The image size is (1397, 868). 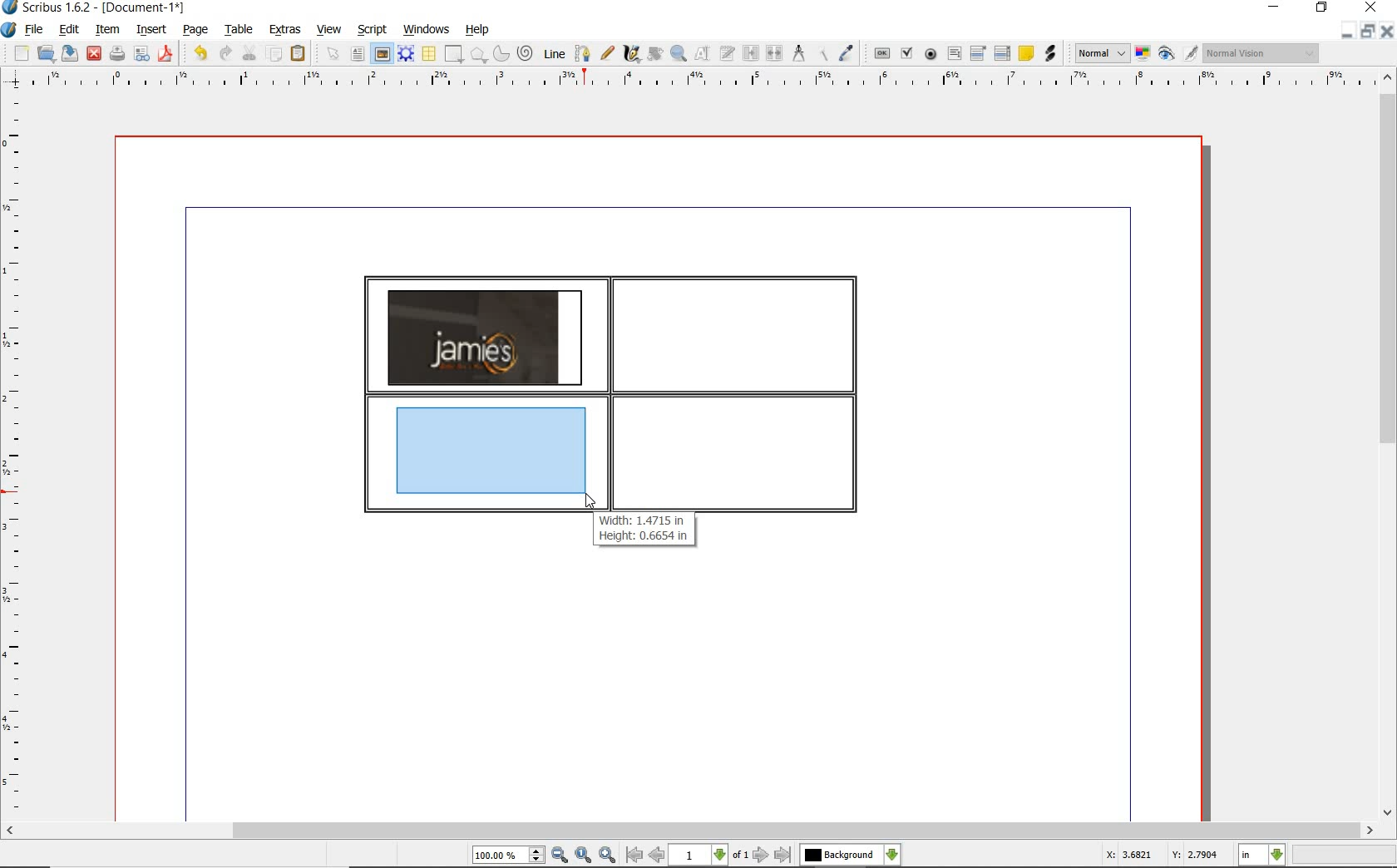 I want to click on scrollbar, so click(x=689, y=831).